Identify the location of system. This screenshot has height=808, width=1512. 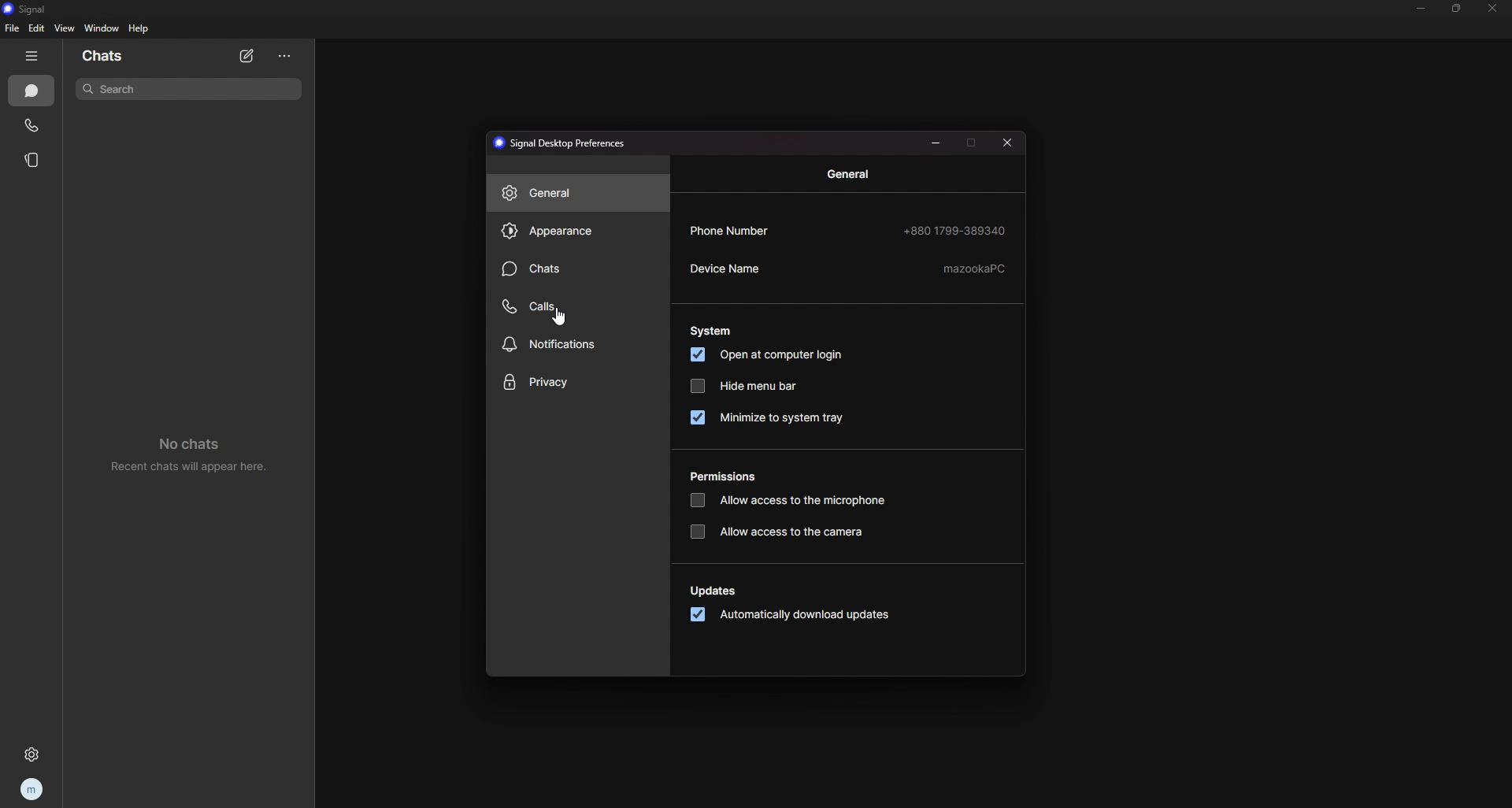
(711, 332).